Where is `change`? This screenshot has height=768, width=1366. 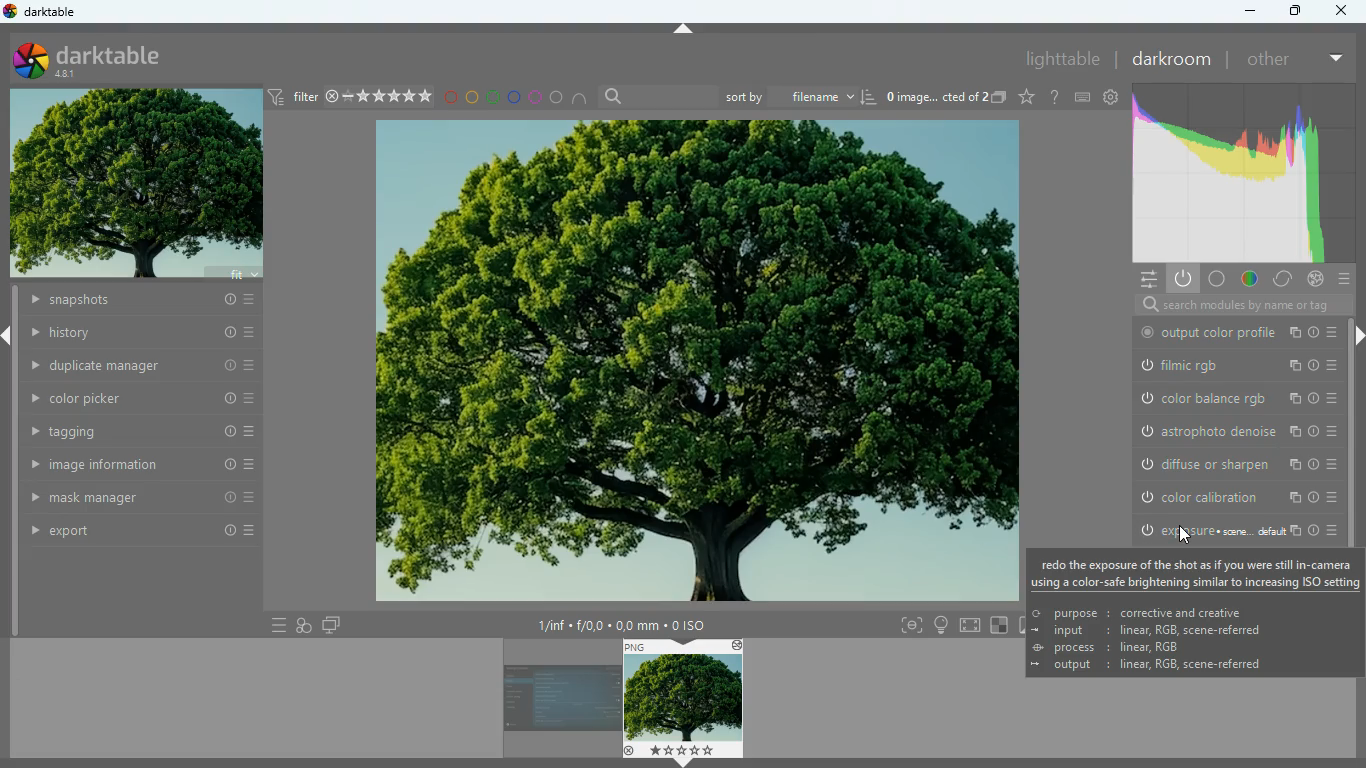
change is located at coordinates (1284, 278).